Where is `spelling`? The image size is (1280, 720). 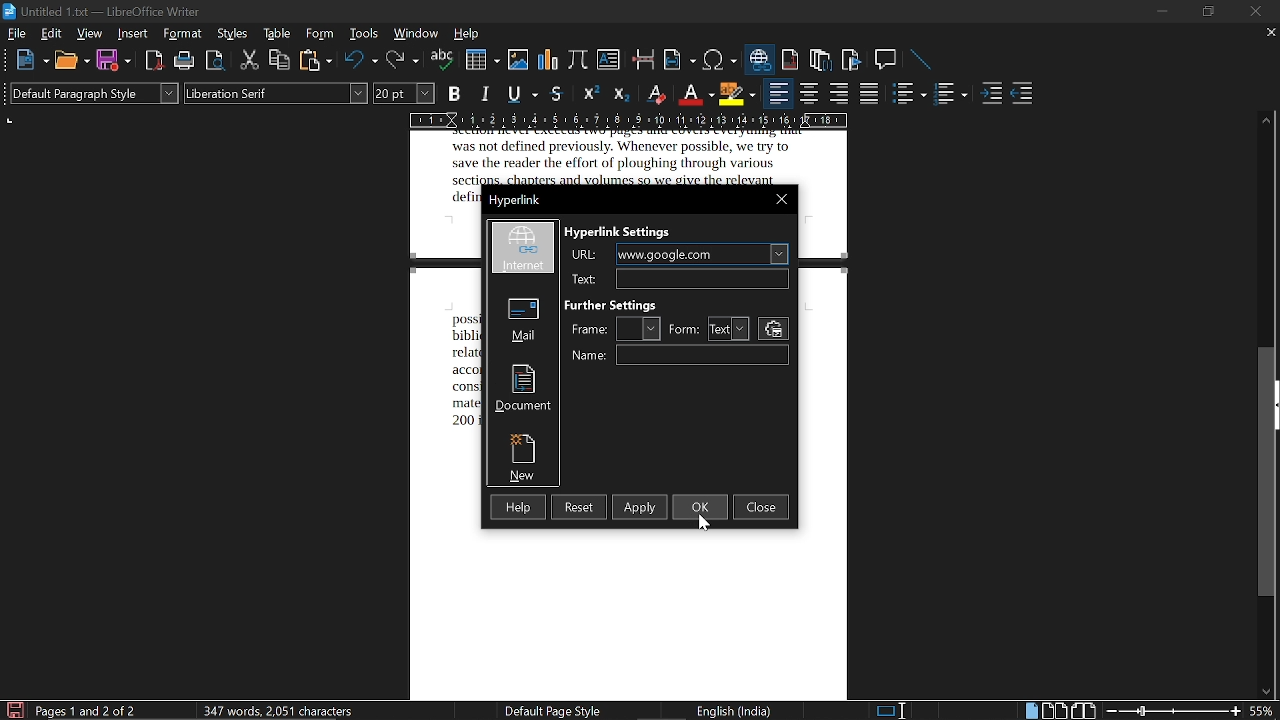 spelling is located at coordinates (443, 61).